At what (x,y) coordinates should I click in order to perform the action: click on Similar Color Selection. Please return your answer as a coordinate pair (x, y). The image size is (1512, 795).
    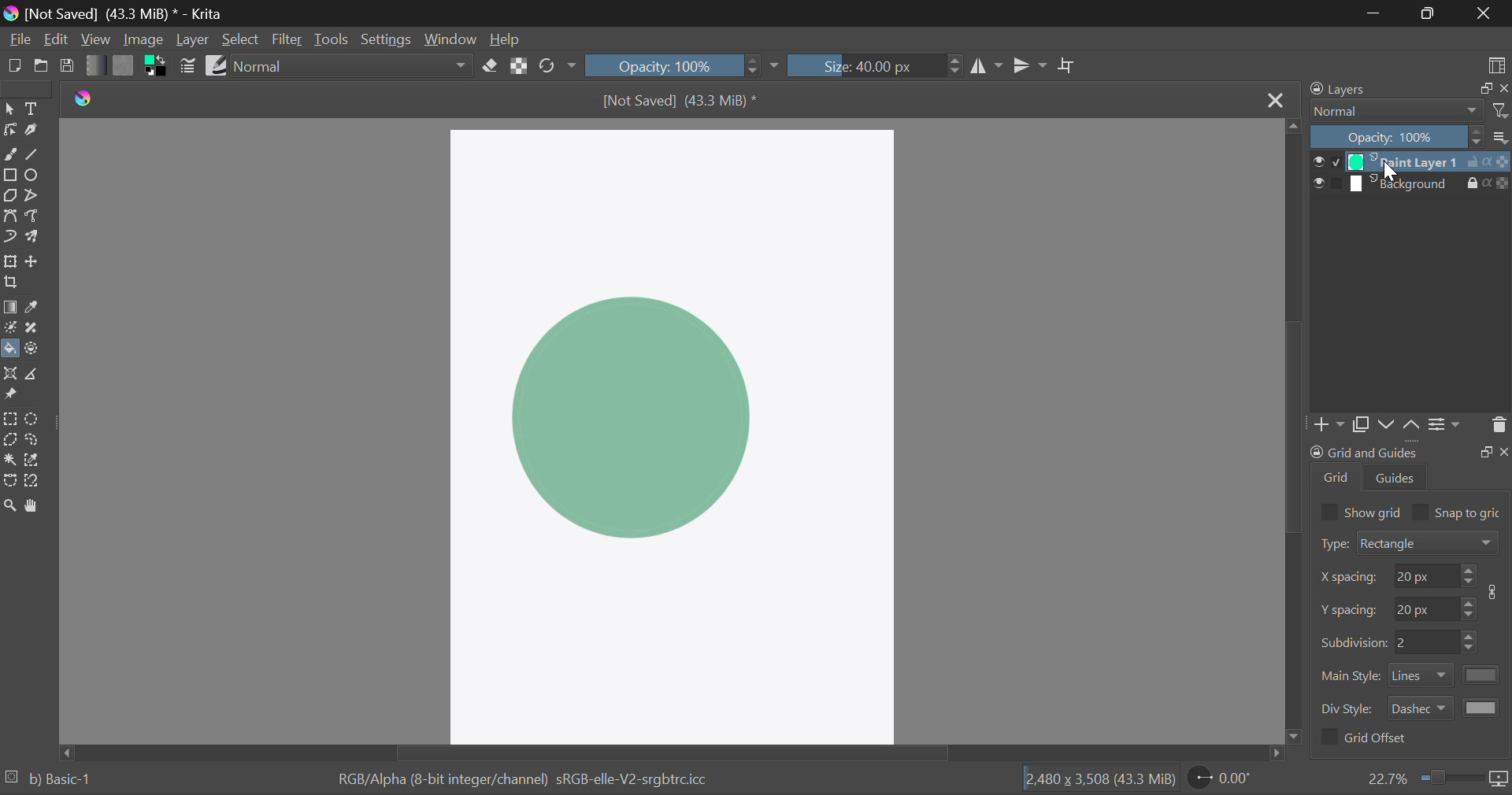
    Looking at the image, I should click on (32, 461).